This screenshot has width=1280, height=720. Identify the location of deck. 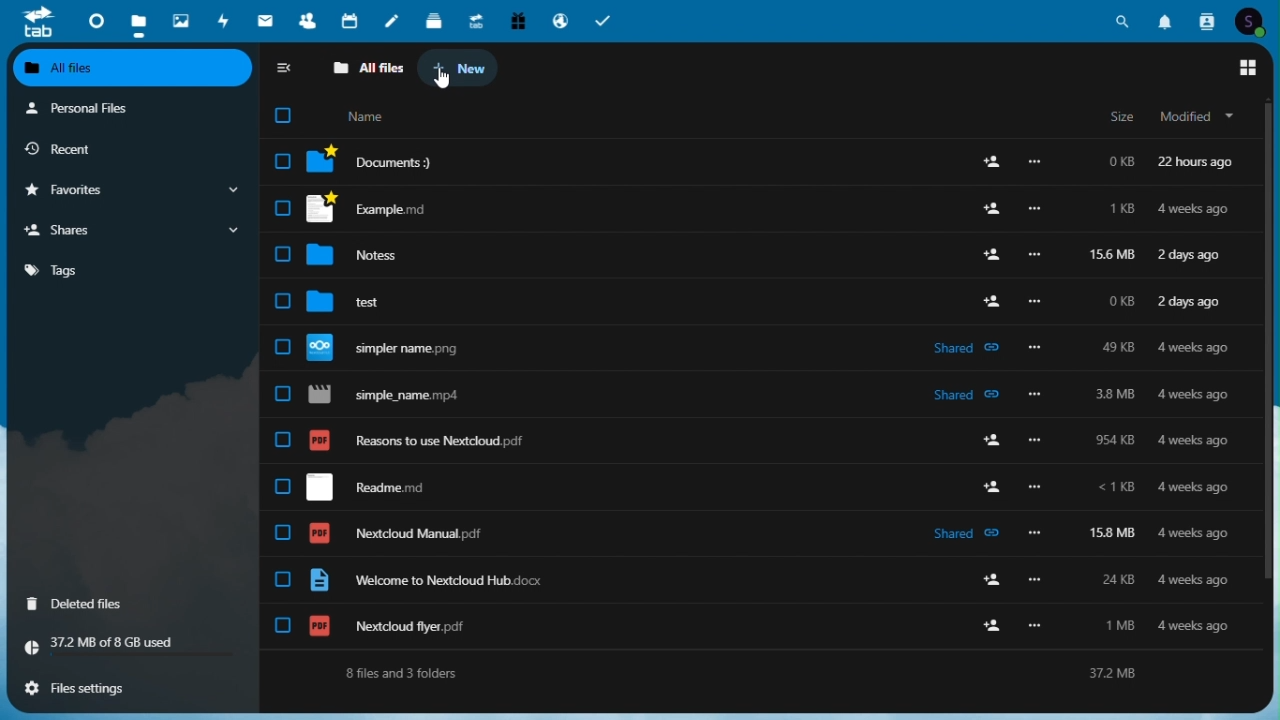
(435, 20).